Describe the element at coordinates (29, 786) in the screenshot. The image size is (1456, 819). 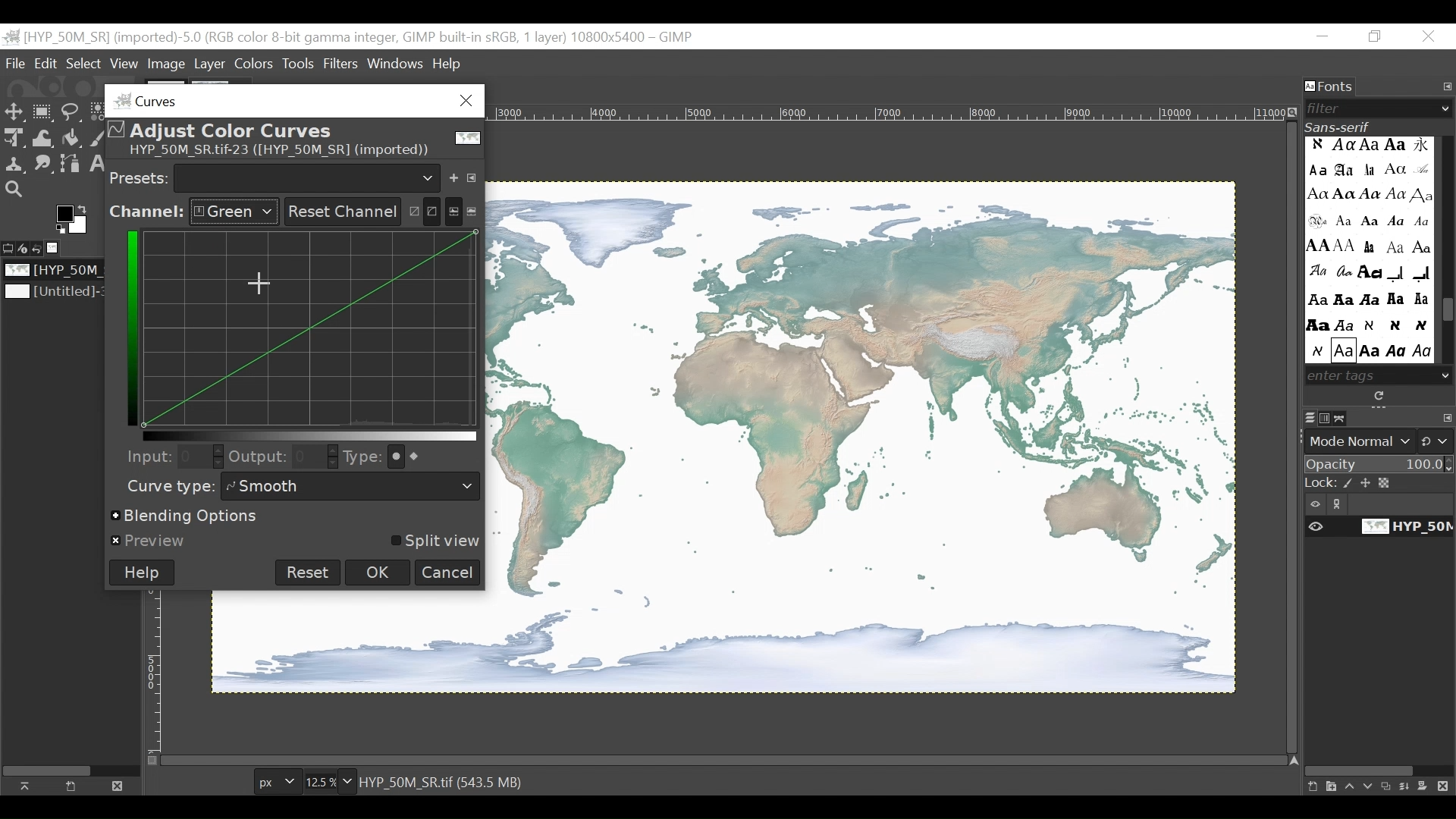
I see `Raise this image display` at that location.